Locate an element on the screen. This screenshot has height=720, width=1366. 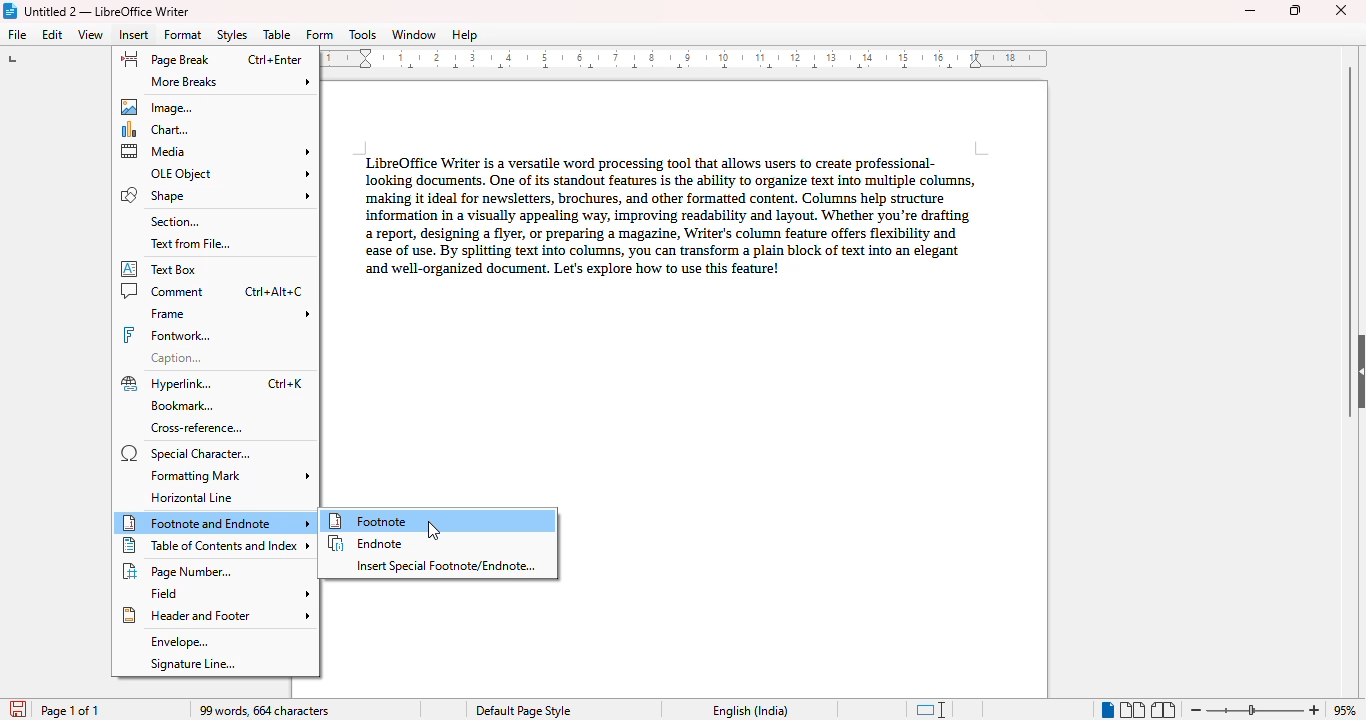
shape is located at coordinates (216, 196).